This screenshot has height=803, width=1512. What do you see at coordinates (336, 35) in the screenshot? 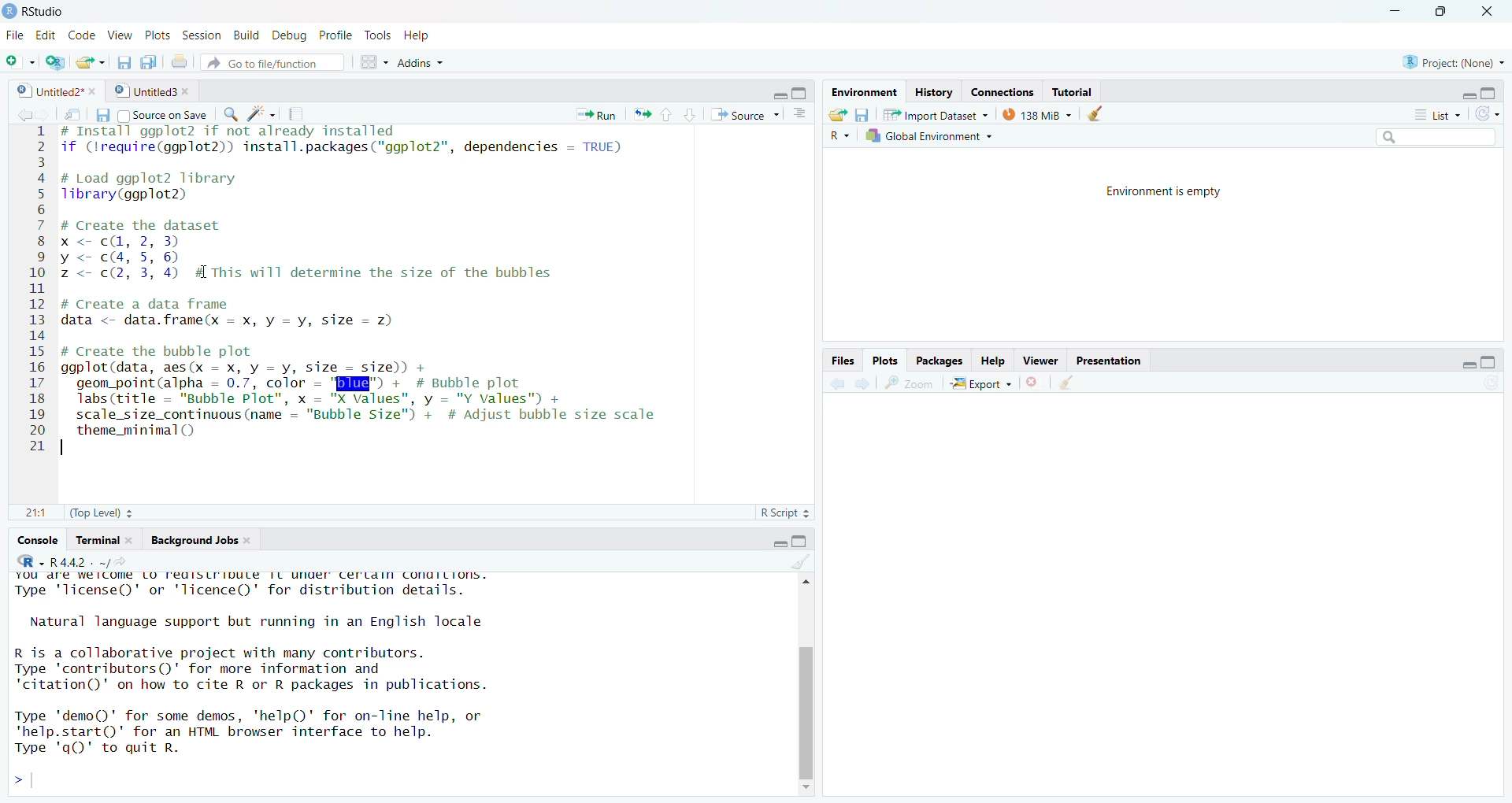
I see `Profile` at bounding box center [336, 35].